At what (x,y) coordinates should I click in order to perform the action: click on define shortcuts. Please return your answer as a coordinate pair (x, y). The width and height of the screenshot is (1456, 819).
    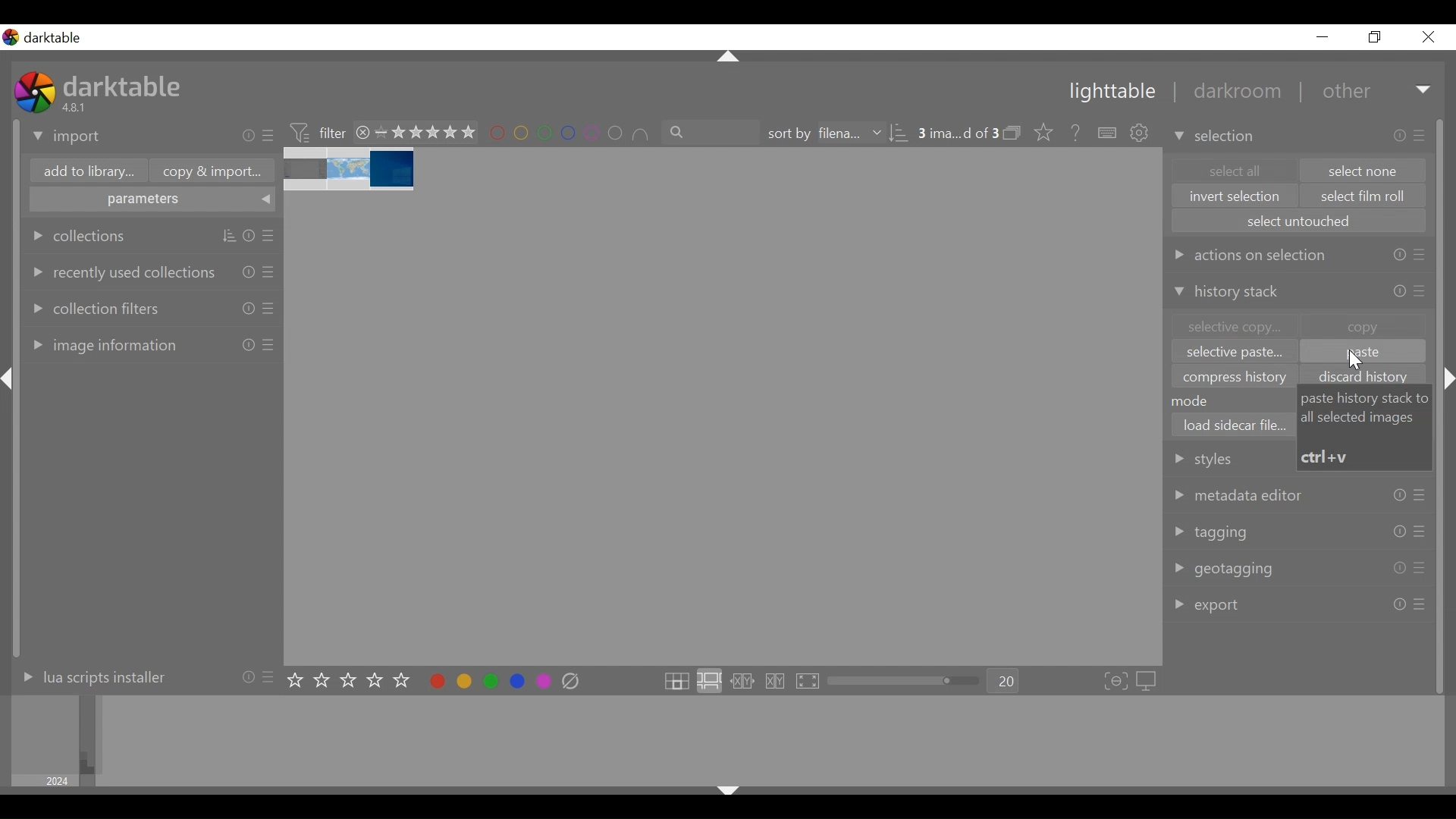
    Looking at the image, I should click on (1109, 133).